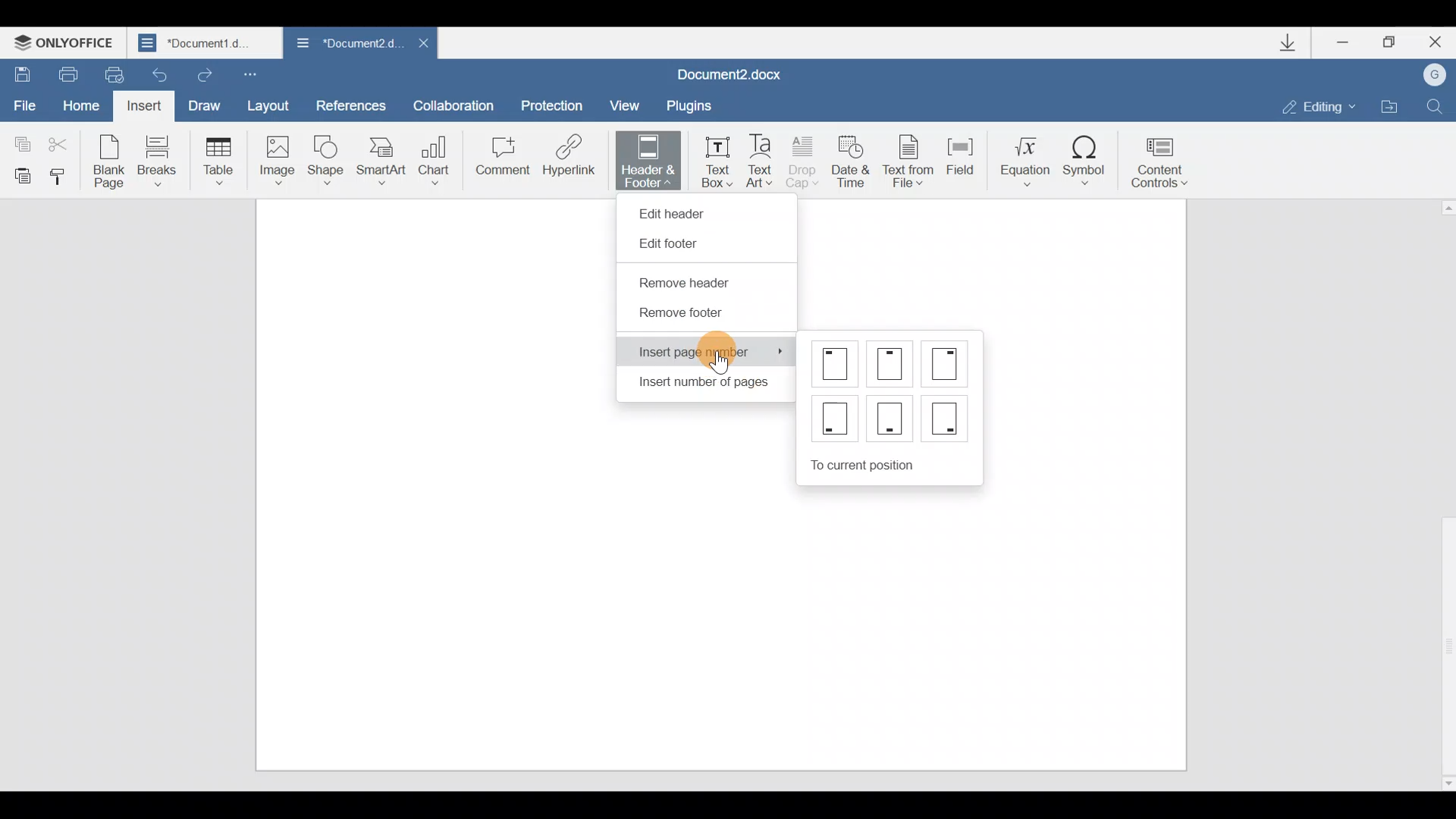 The height and width of the screenshot is (819, 1456). Describe the element at coordinates (1392, 105) in the screenshot. I see `Open file location` at that location.